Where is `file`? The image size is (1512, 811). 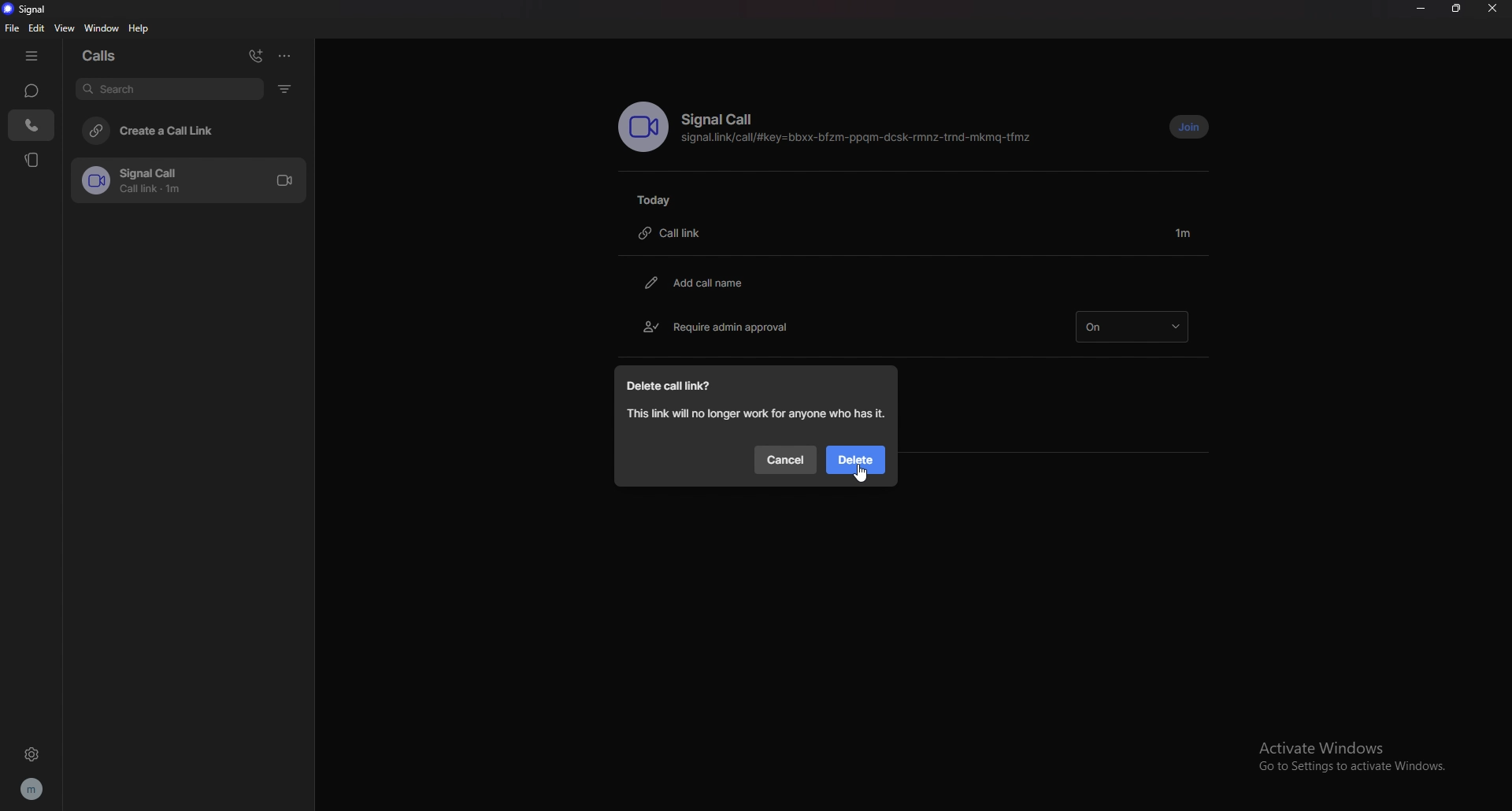 file is located at coordinates (10, 28).